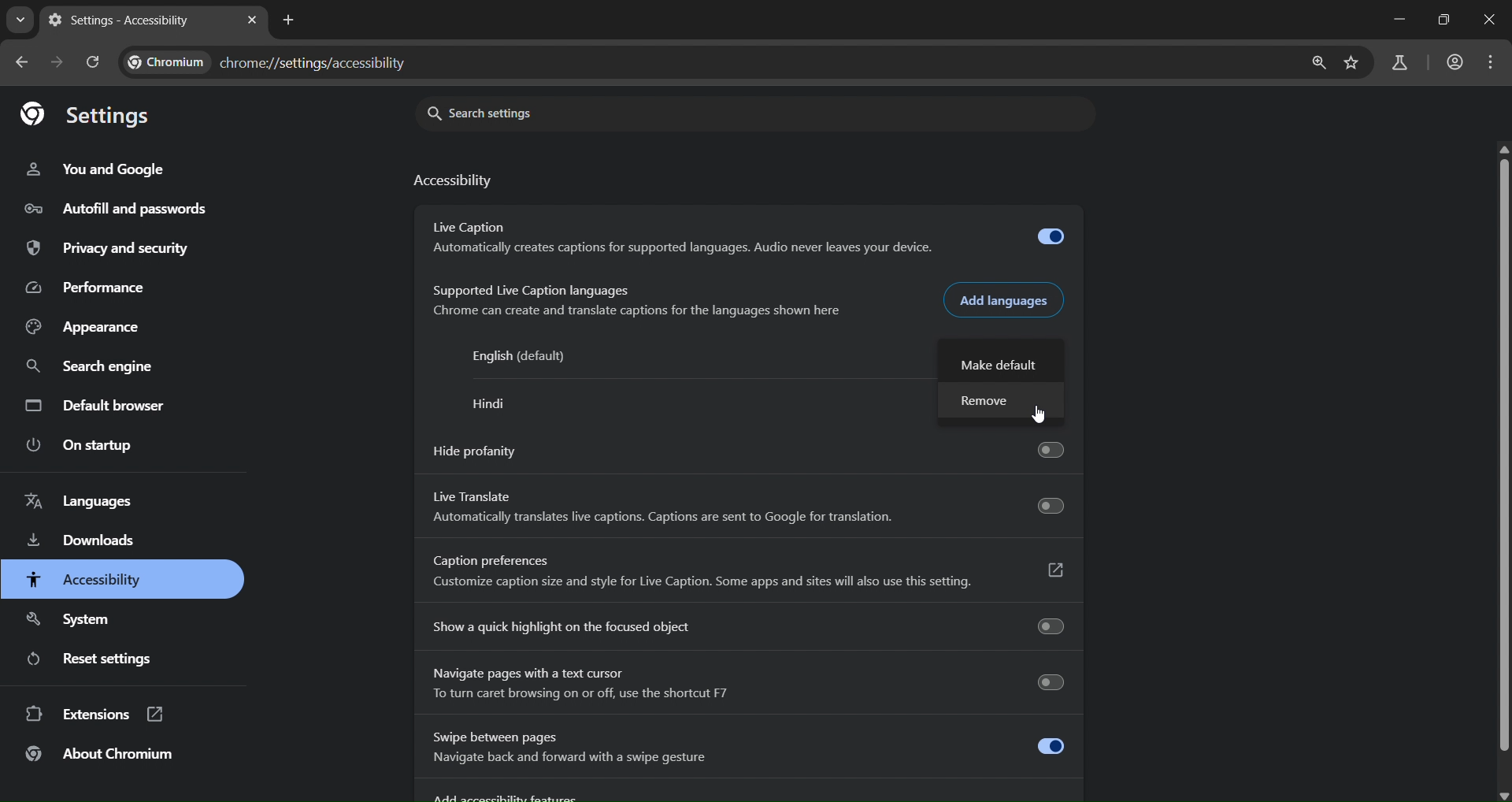  I want to click on search labs, so click(1402, 62).